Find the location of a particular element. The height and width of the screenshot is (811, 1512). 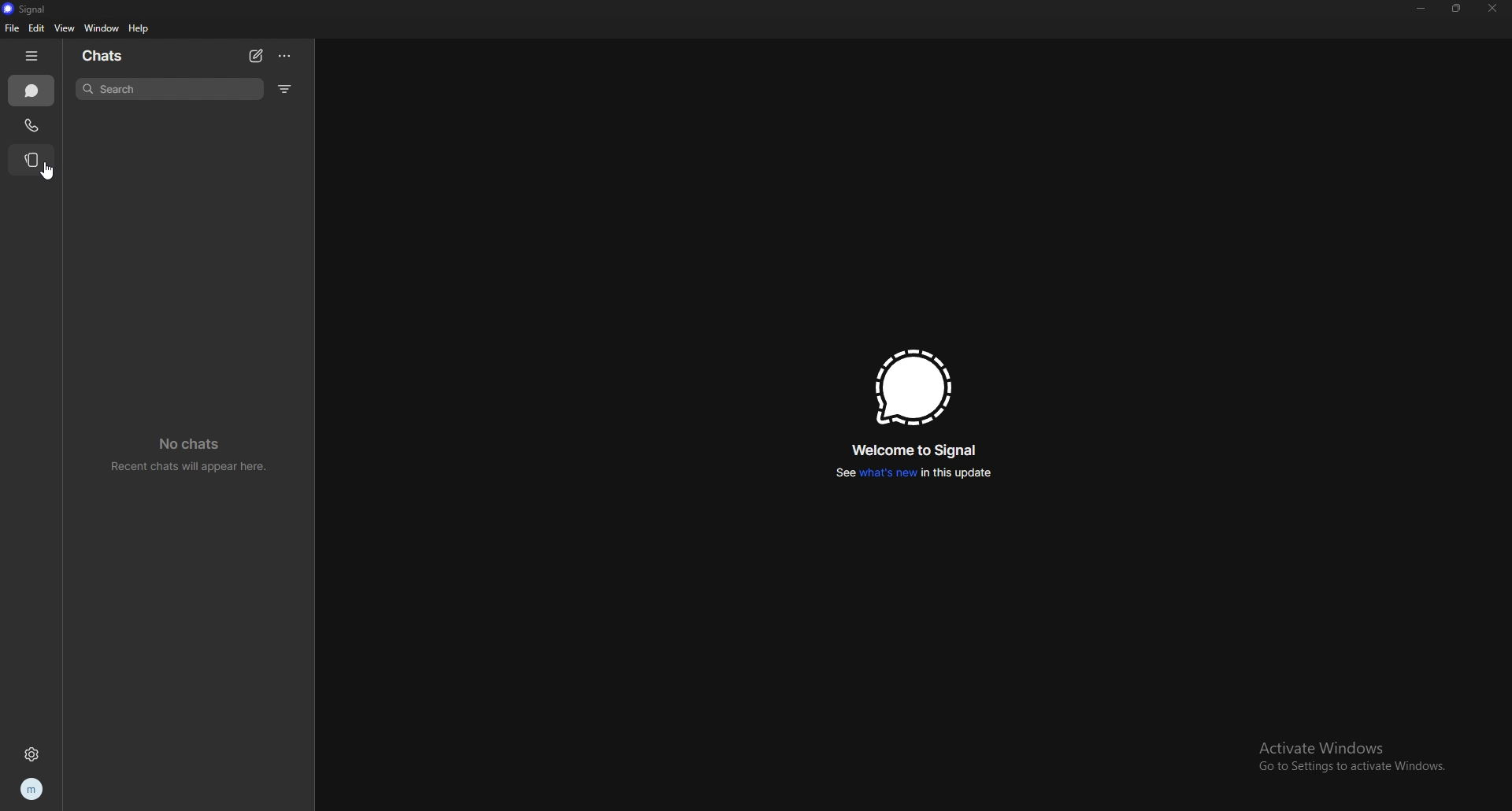

help is located at coordinates (139, 28).